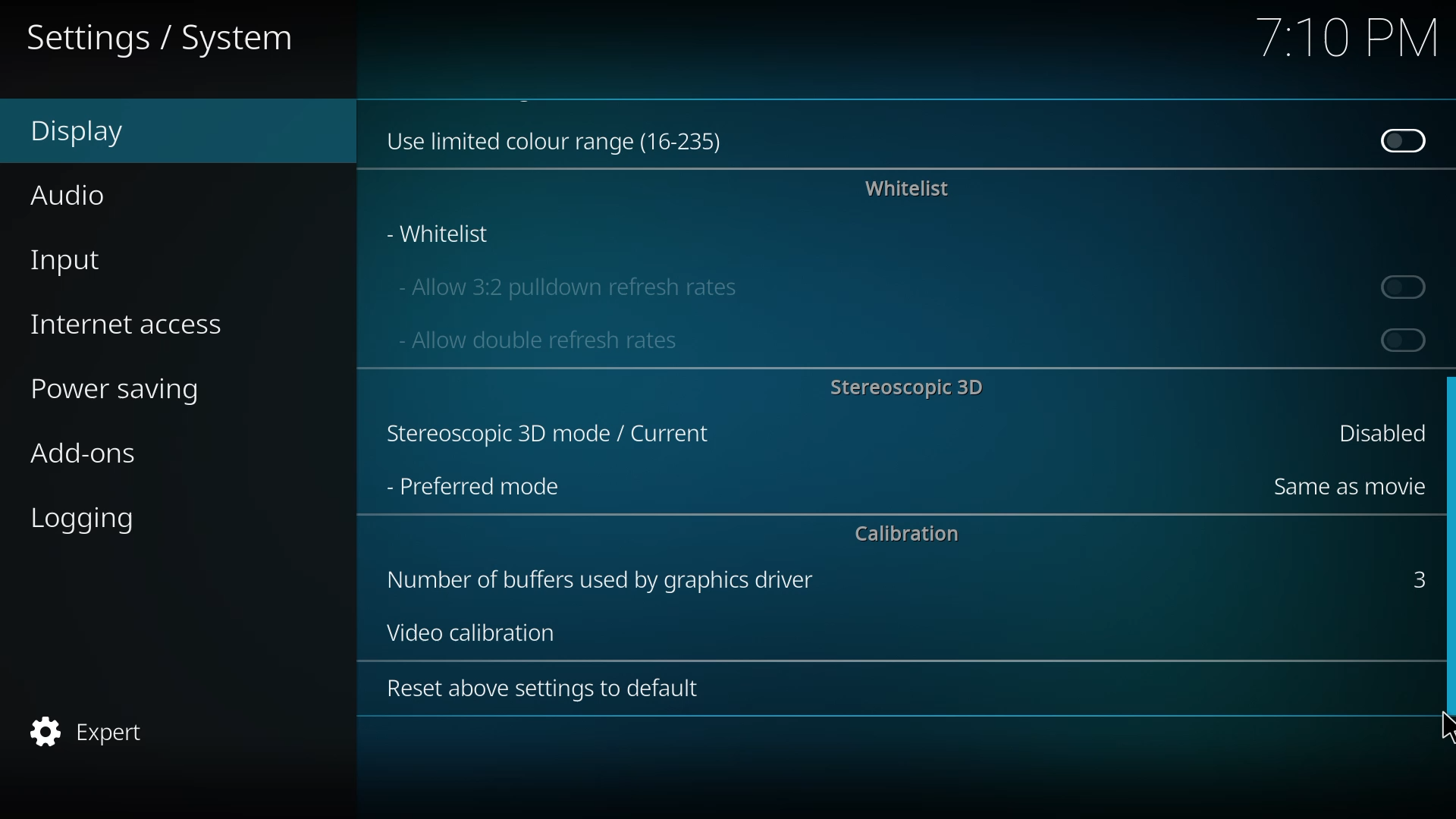  What do you see at coordinates (473, 486) in the screenshot?
I see `preferred mode` at bounding box center [473, 486].